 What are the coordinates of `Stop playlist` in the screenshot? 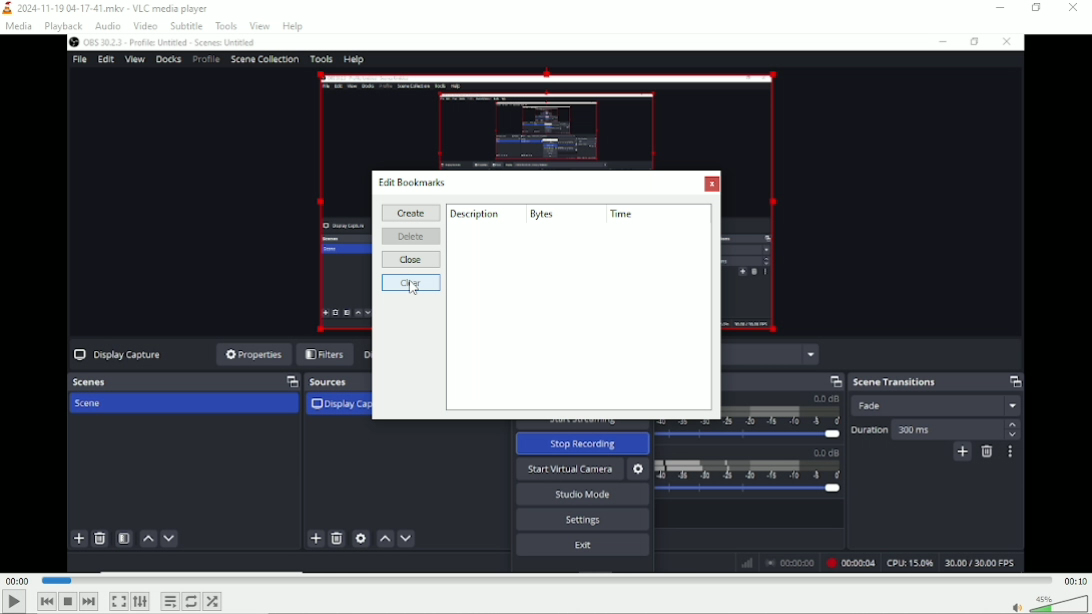 It's located at (67, 601).